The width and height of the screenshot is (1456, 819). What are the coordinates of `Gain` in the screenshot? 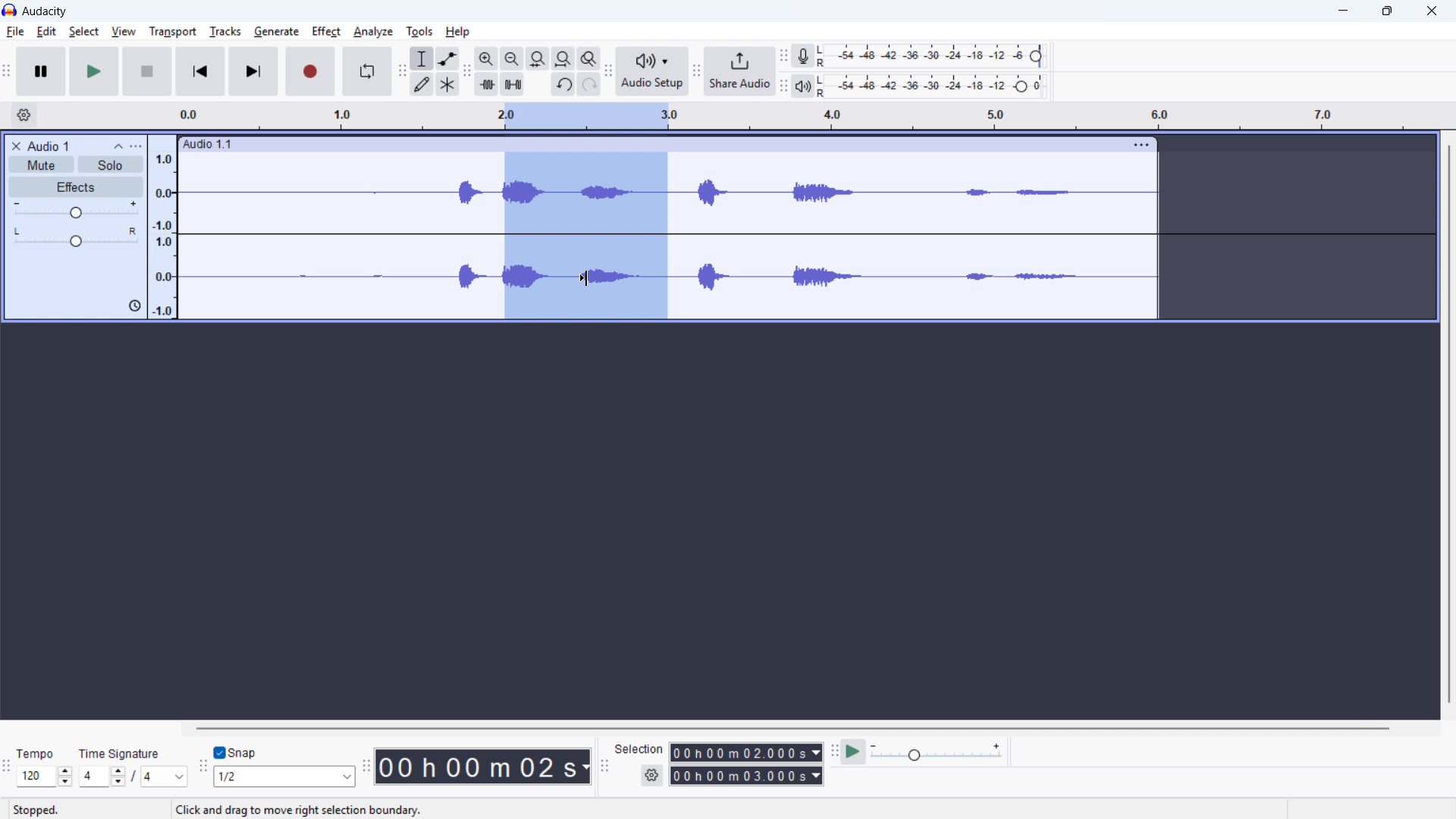 It's located at (76, 209).